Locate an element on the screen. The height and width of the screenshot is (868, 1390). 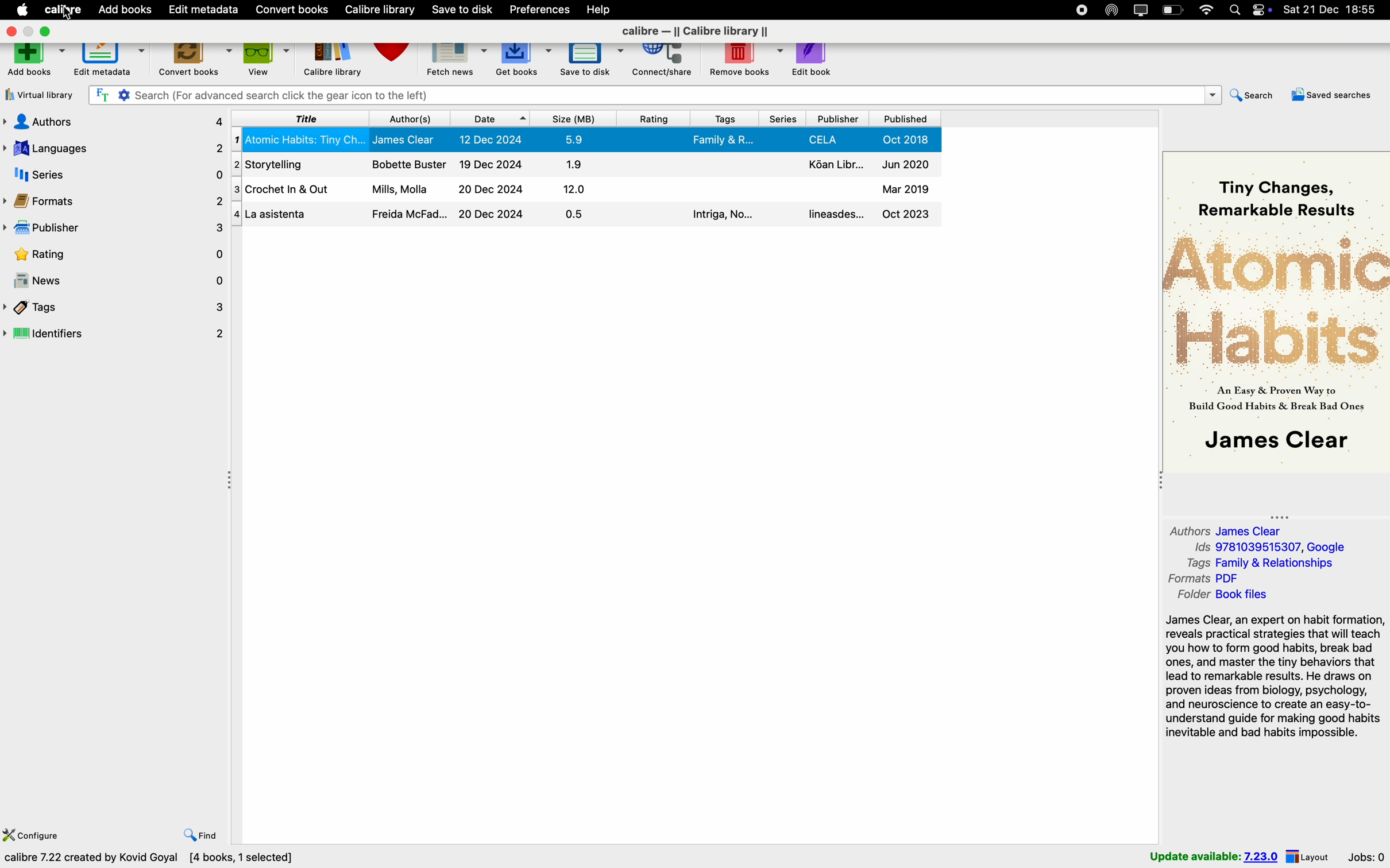
rating is located at coordinates (114, 255).